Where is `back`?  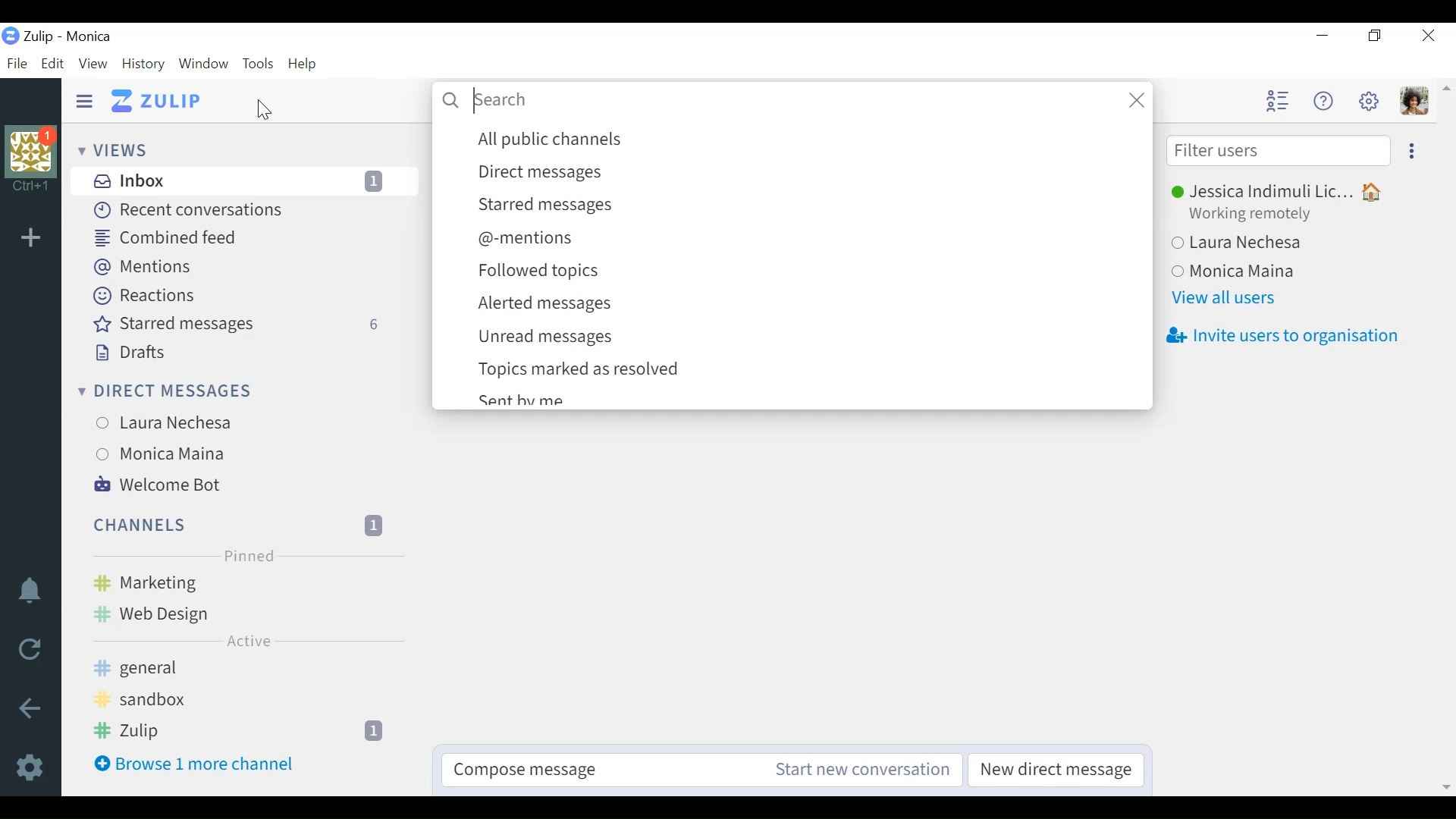 back is located at coordinates (37, 708).